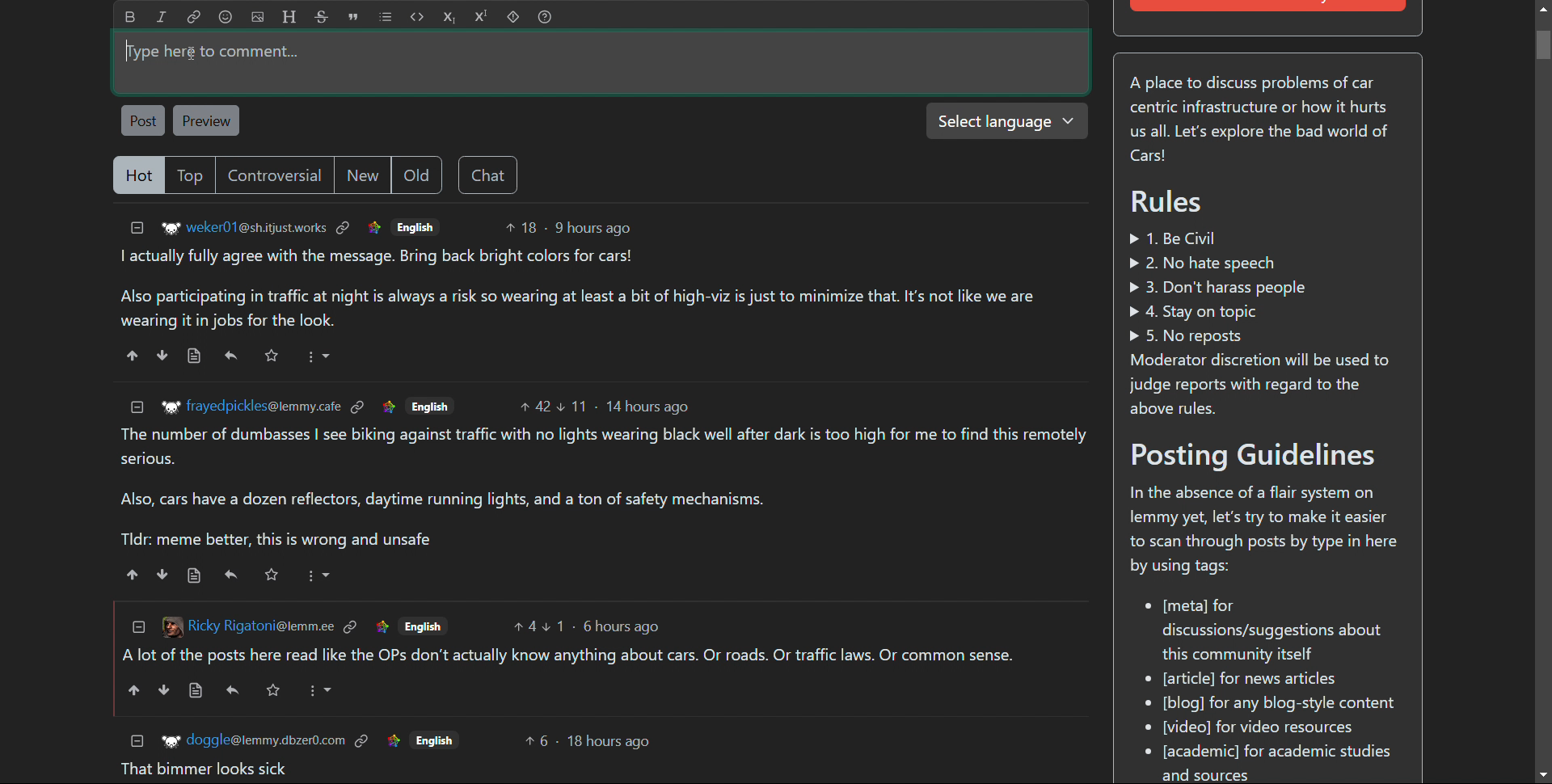 The width and height of the screenshot is (1552, 784). I want to click on link, so click(194, 18).